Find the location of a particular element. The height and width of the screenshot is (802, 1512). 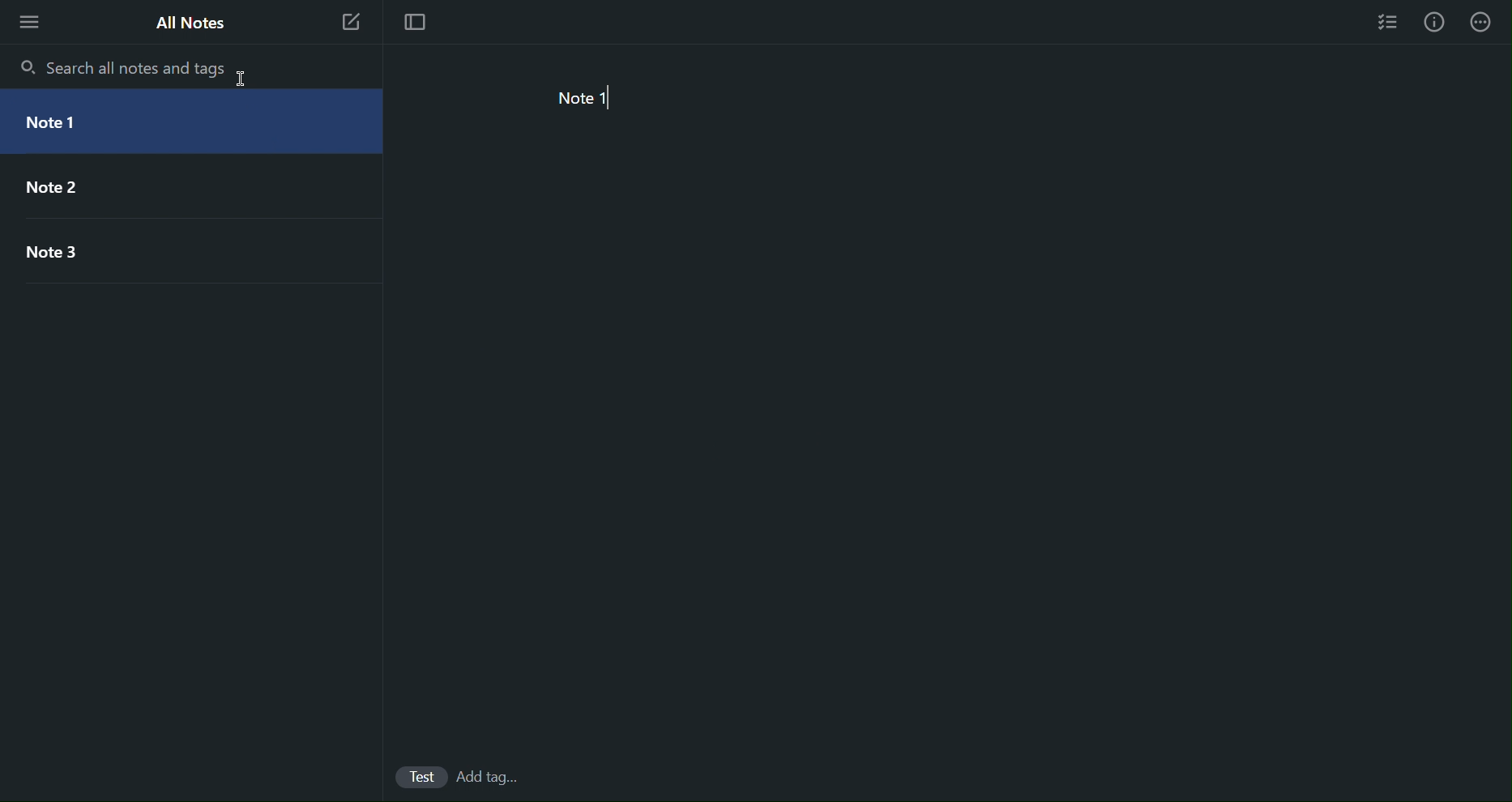

New Note is located at coordinates (351, 23).